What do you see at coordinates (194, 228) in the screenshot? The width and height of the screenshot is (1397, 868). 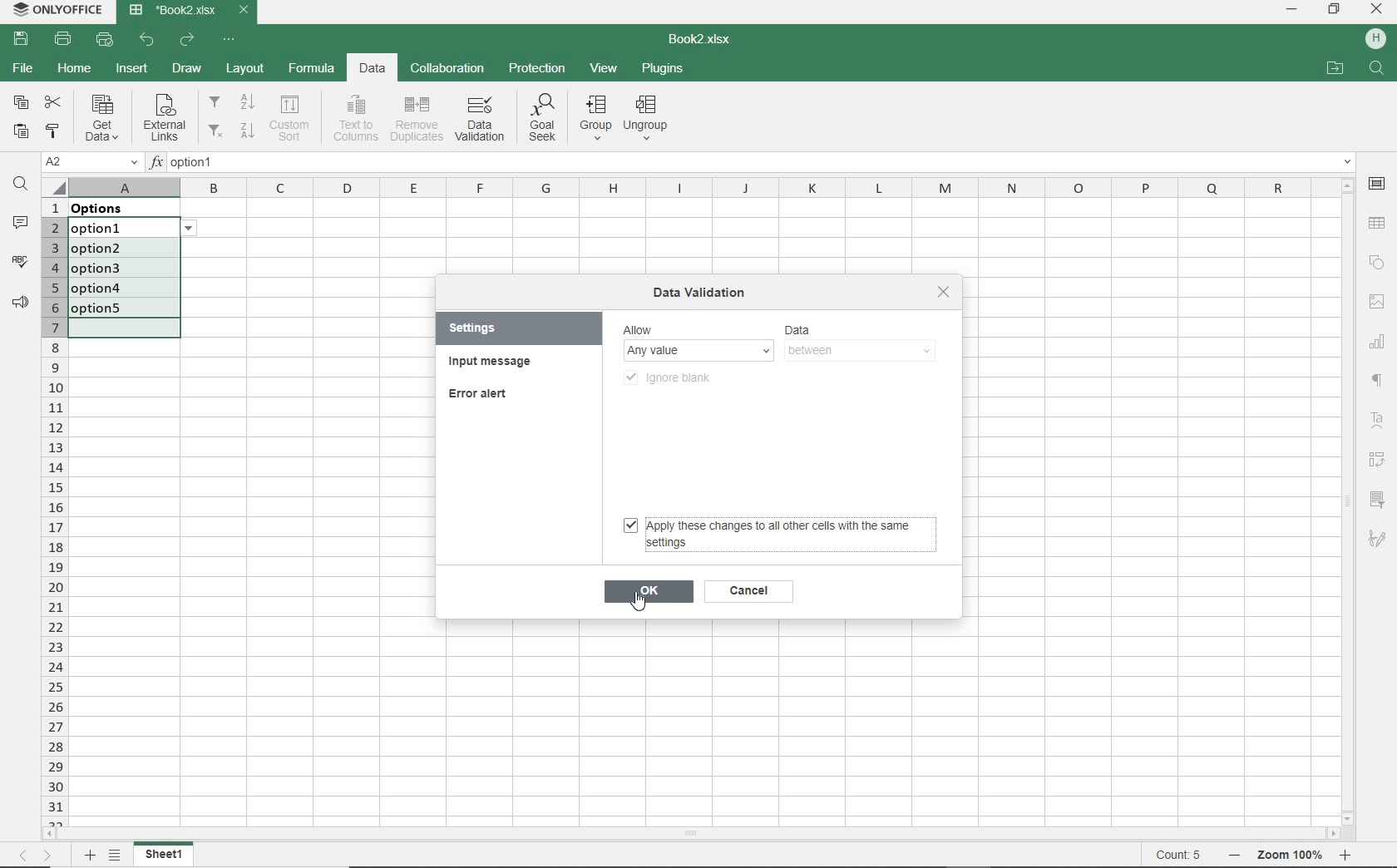 I see `options` at bounding box center [194, 228].